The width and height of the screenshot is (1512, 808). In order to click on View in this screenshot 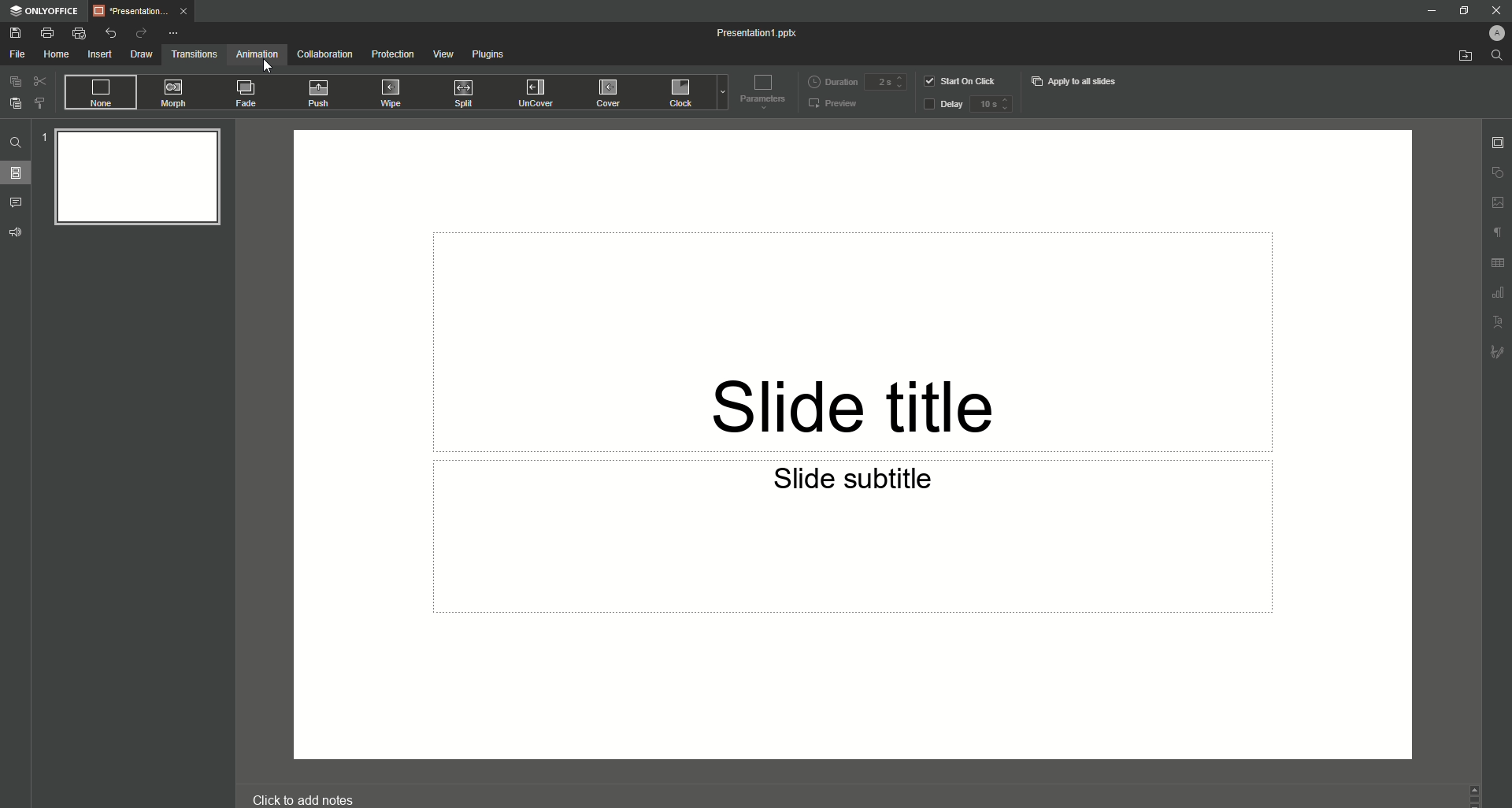, I will do `click(441, 54)`.